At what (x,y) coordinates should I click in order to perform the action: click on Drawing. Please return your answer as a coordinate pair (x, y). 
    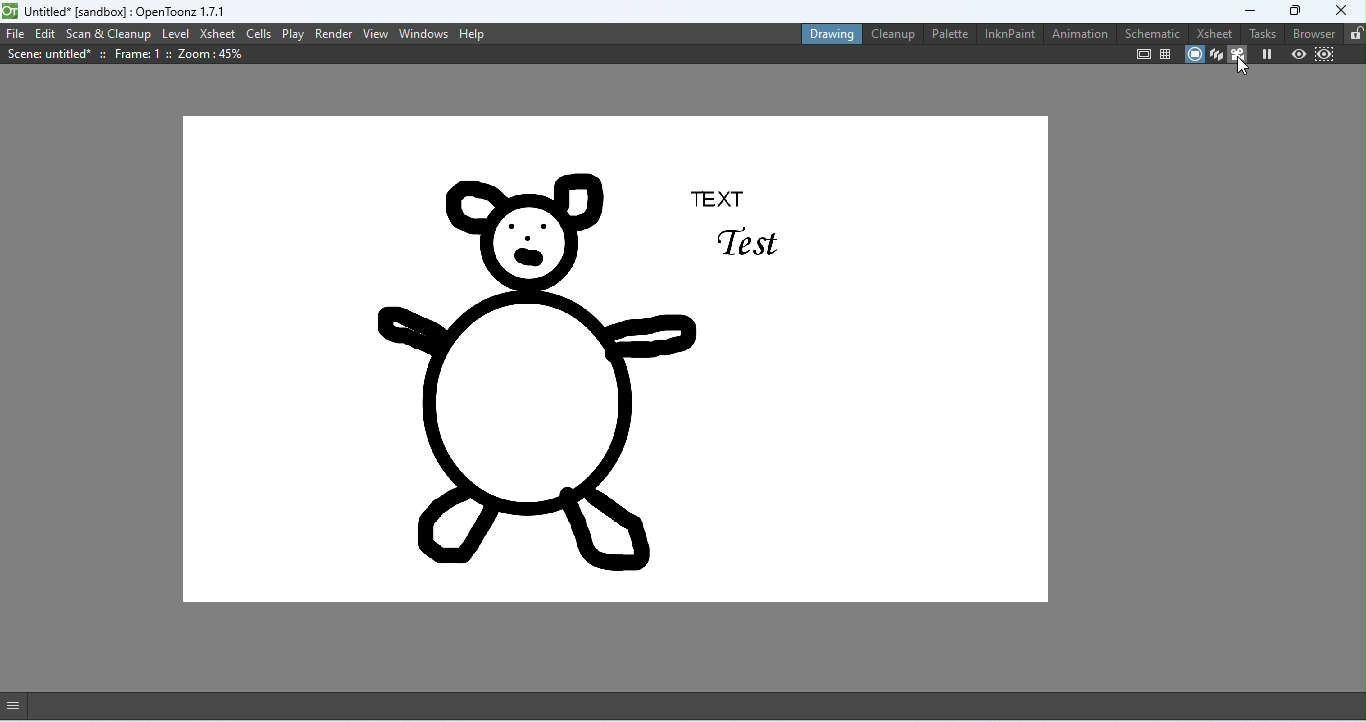
    Looking at the image, I should click on (826, 32).